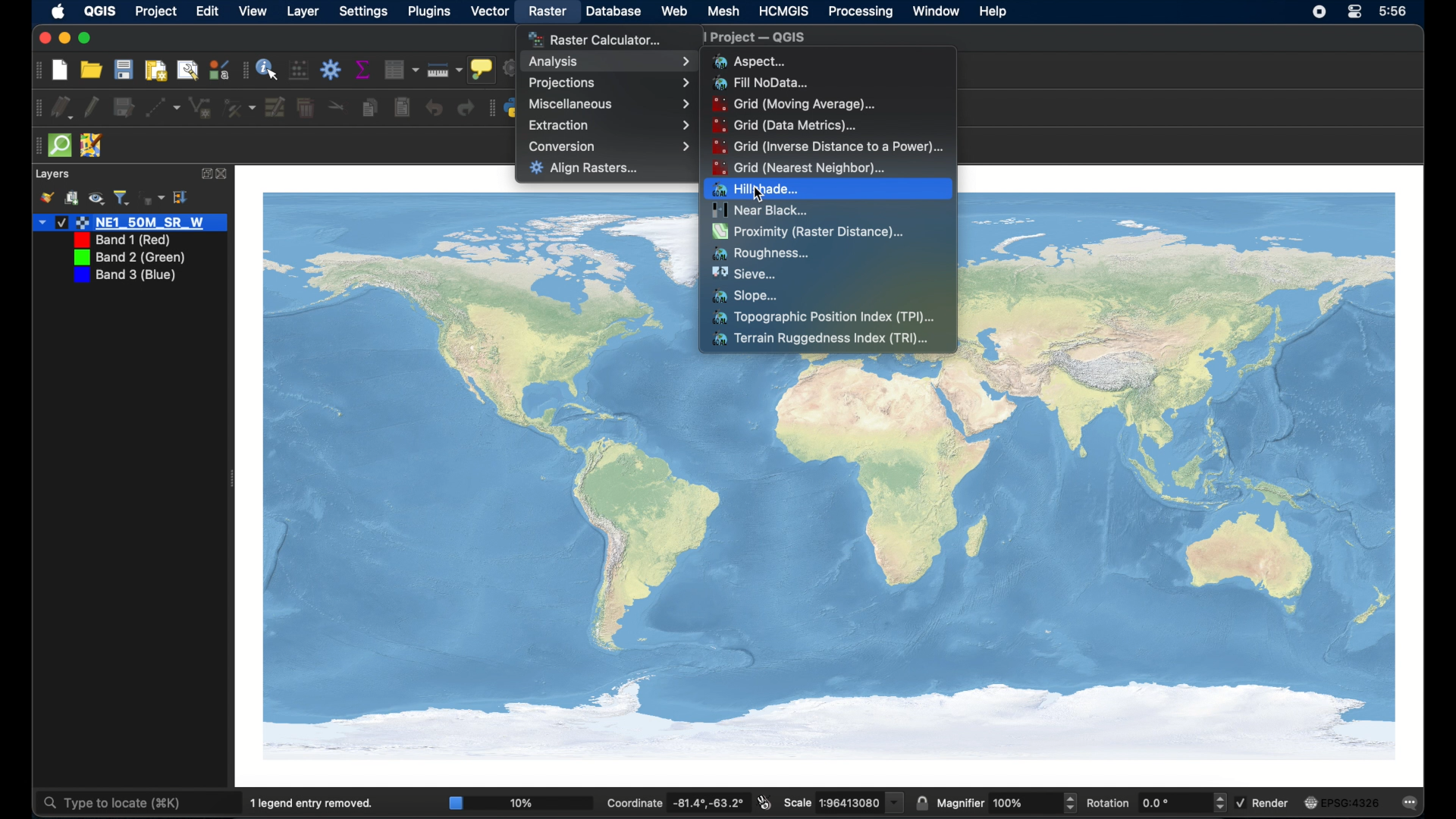  What do you see at coordinates (519, 802) in the screenshot?
I see `10%` at bounding box center [519, 802].